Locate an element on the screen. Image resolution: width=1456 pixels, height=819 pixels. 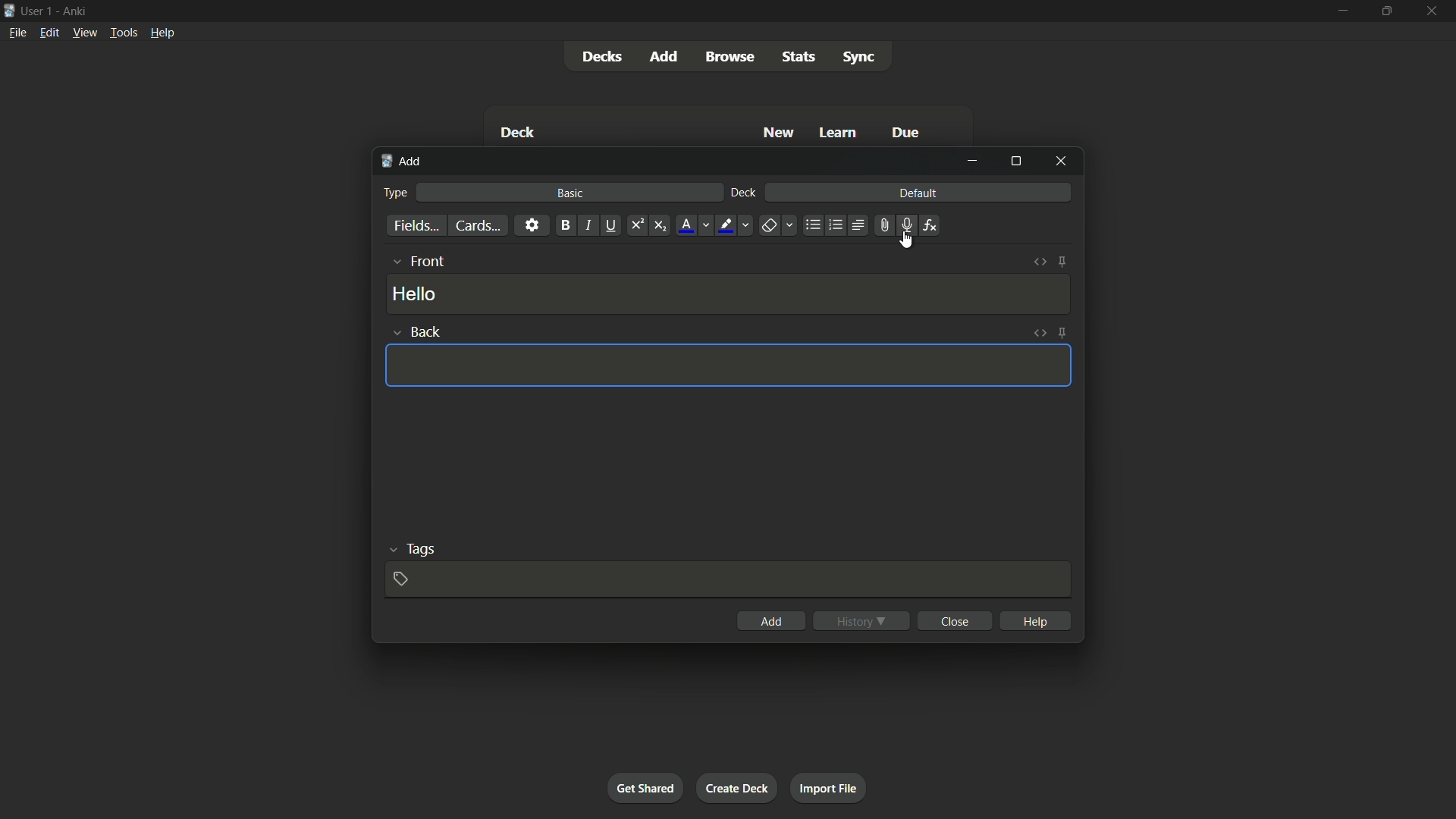
italic is located at coordinates (588, 225).